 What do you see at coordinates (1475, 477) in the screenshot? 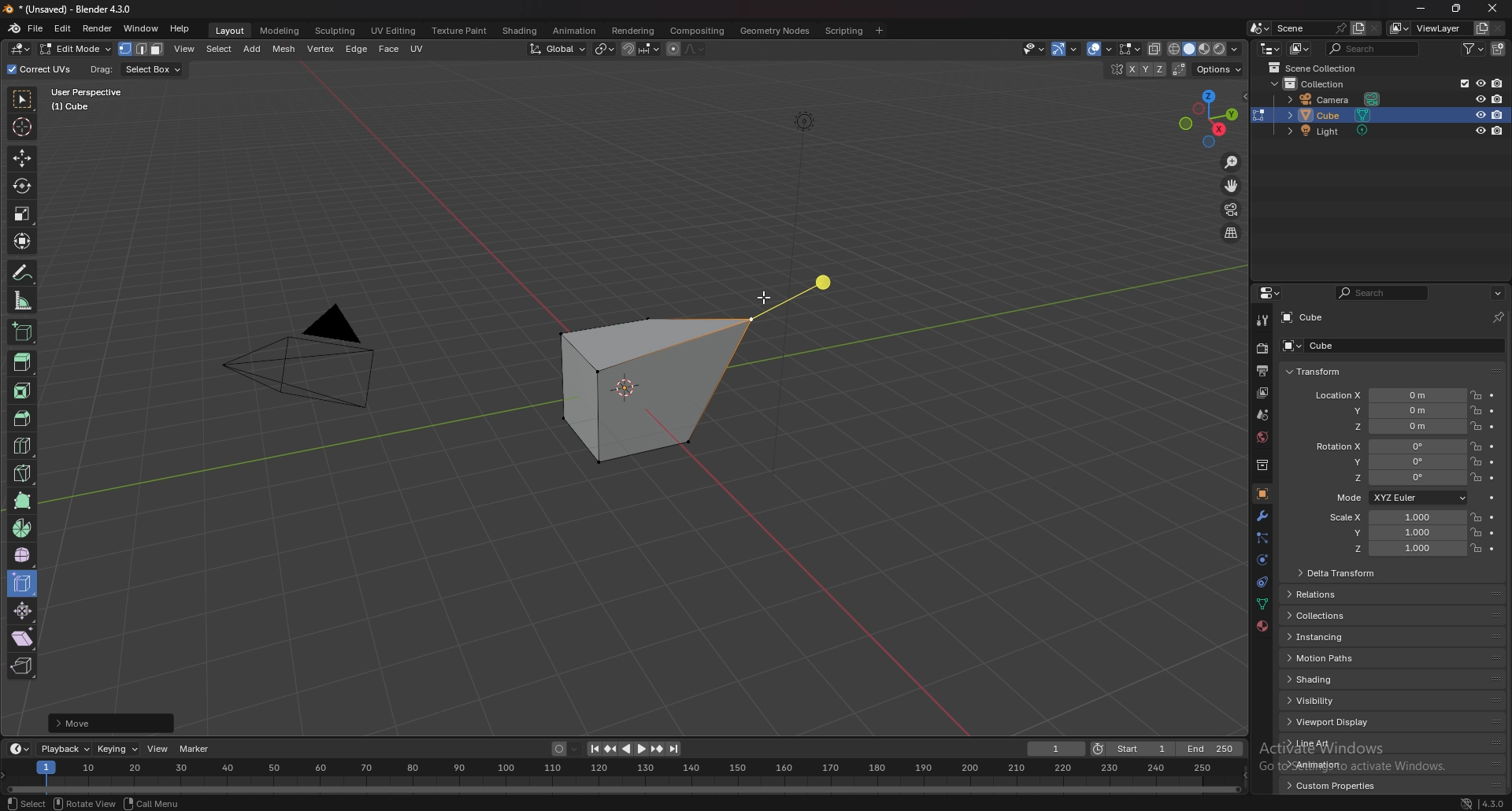
I see `lock` at bounding box center [1475, 477].